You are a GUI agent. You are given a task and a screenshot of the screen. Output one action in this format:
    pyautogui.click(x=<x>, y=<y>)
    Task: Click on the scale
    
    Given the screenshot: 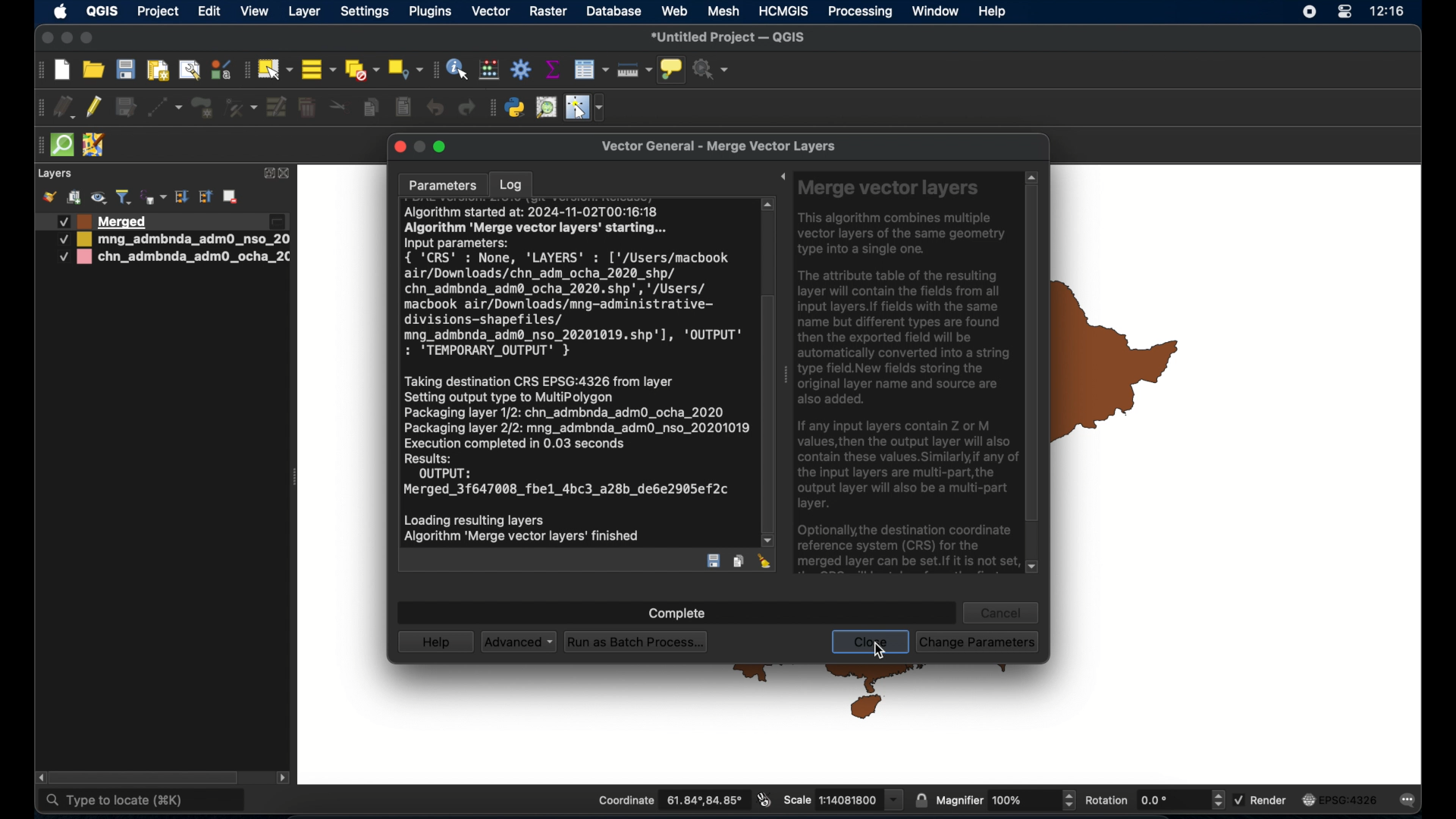 What is the action you would take?
    pyautogui.click(x=842, y=799)
    